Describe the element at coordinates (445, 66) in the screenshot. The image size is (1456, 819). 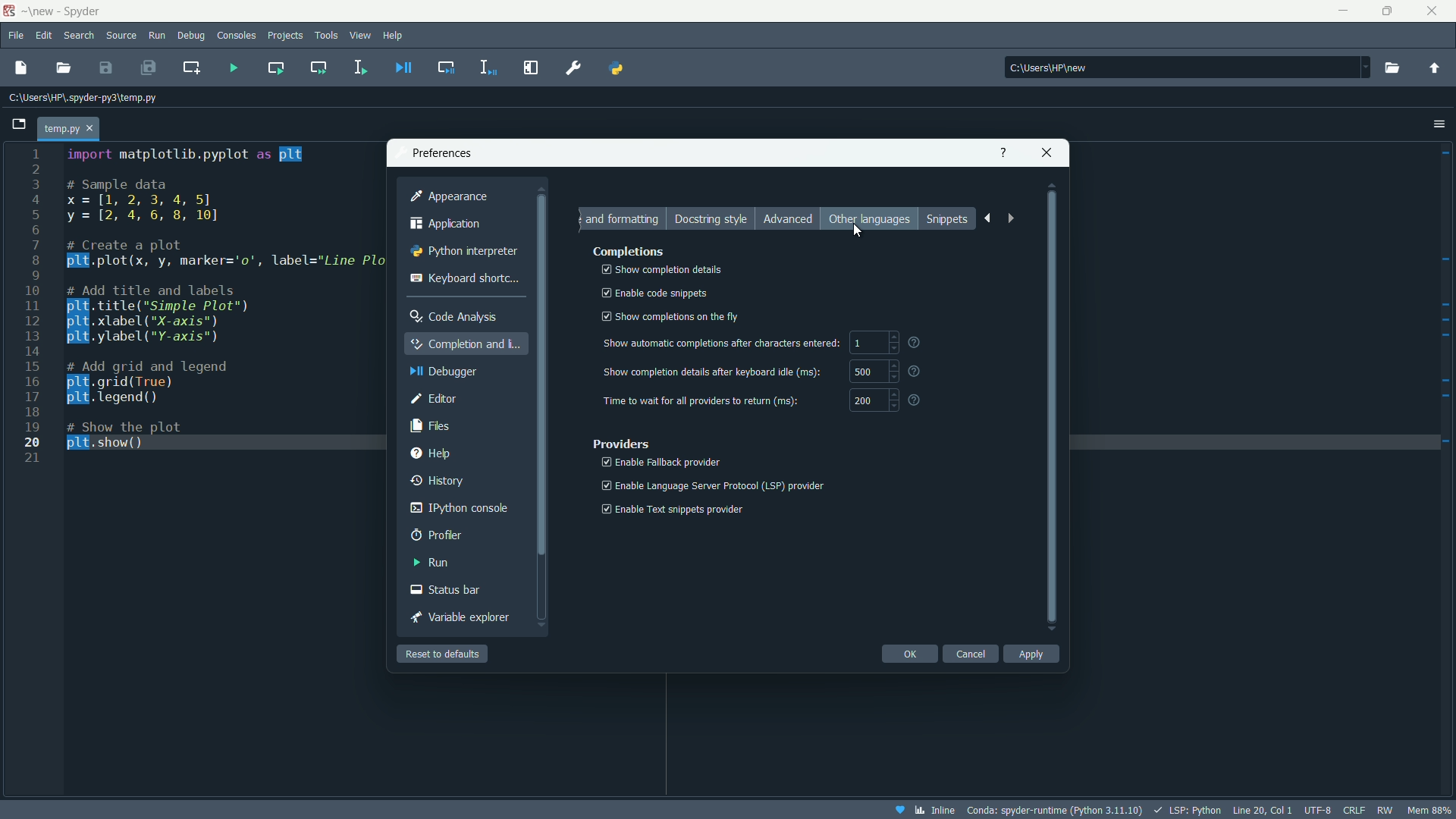
I see `debug cell` at that location.